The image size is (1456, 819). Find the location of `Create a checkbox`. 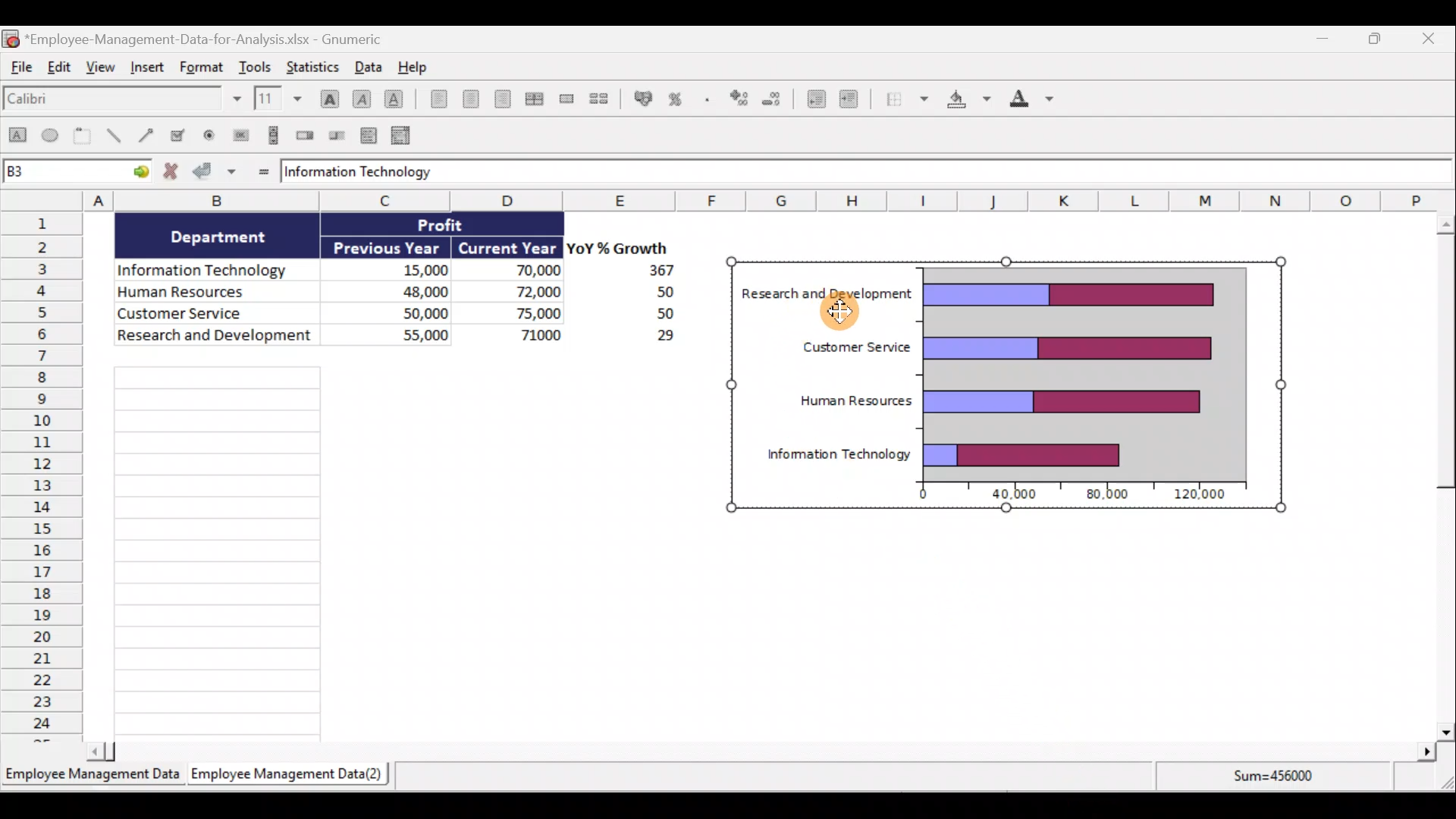

Create a checkbox is located at coordinates (178, 134).